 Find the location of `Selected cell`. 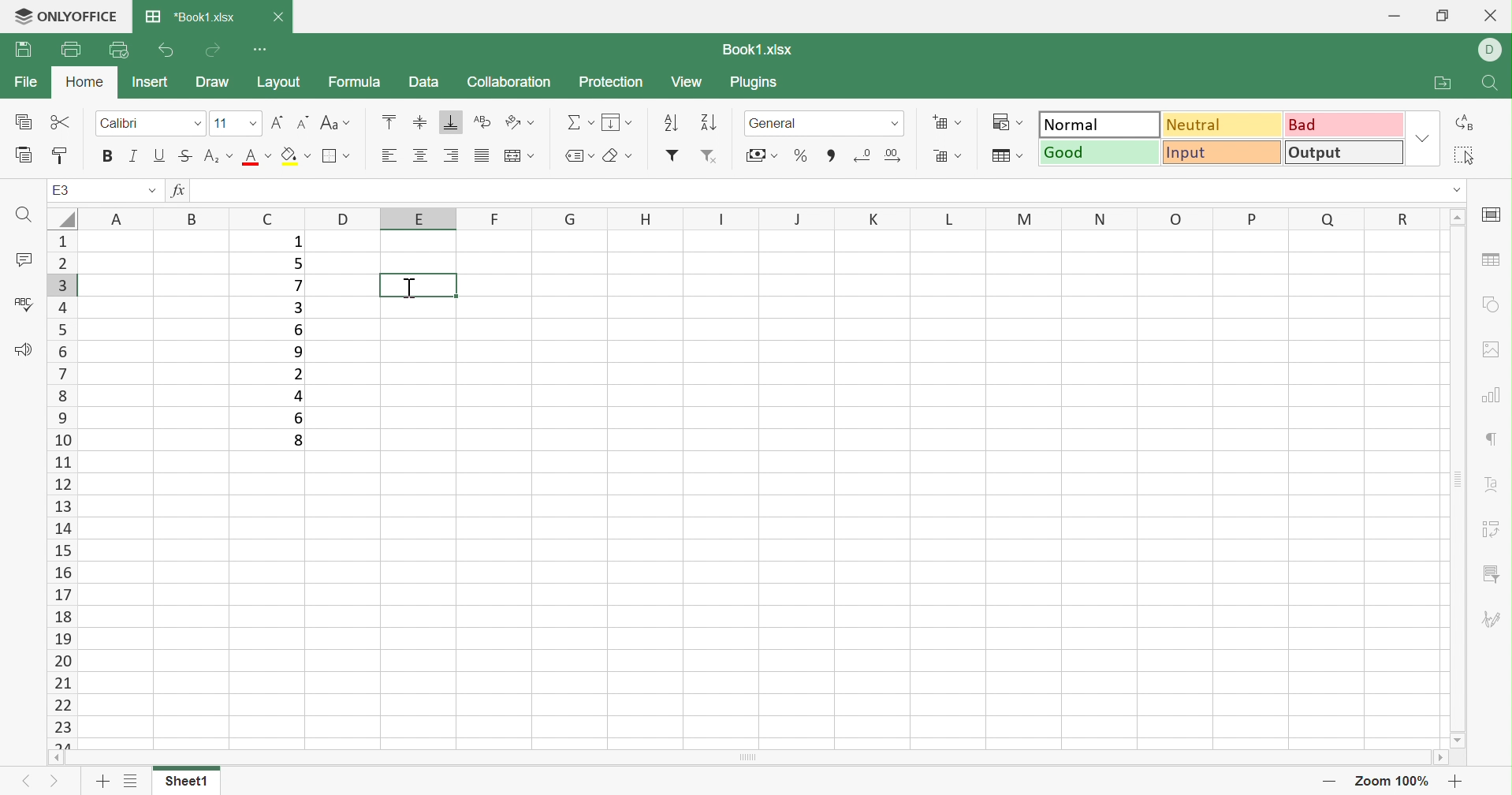

Selected cell is located at coordinates (416, 285).